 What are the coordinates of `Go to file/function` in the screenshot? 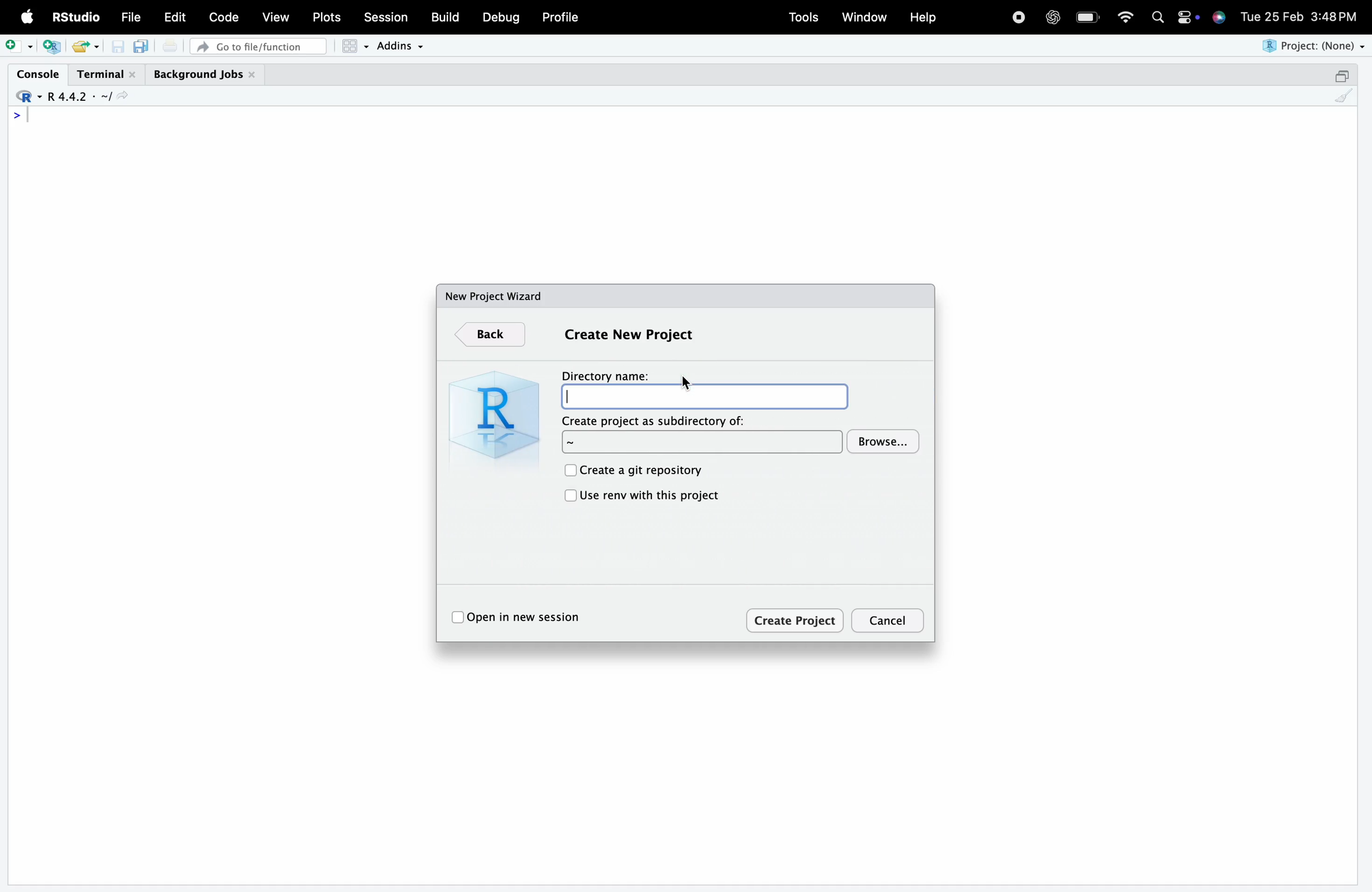 It's located at (258, 47).